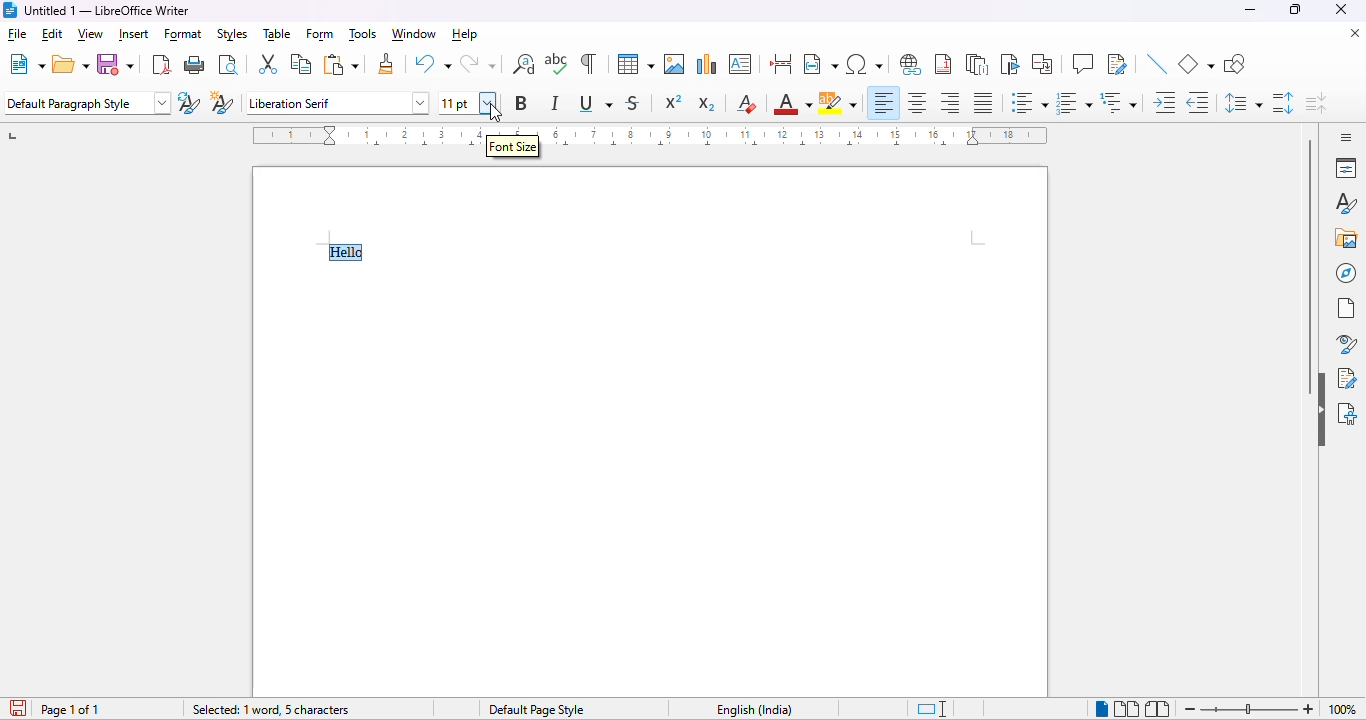 The width and height of the screenshot is (1366, 720). Describe the element at coordinates (746, 105) in the screenshot. I see `clear direct formatting` at that location.